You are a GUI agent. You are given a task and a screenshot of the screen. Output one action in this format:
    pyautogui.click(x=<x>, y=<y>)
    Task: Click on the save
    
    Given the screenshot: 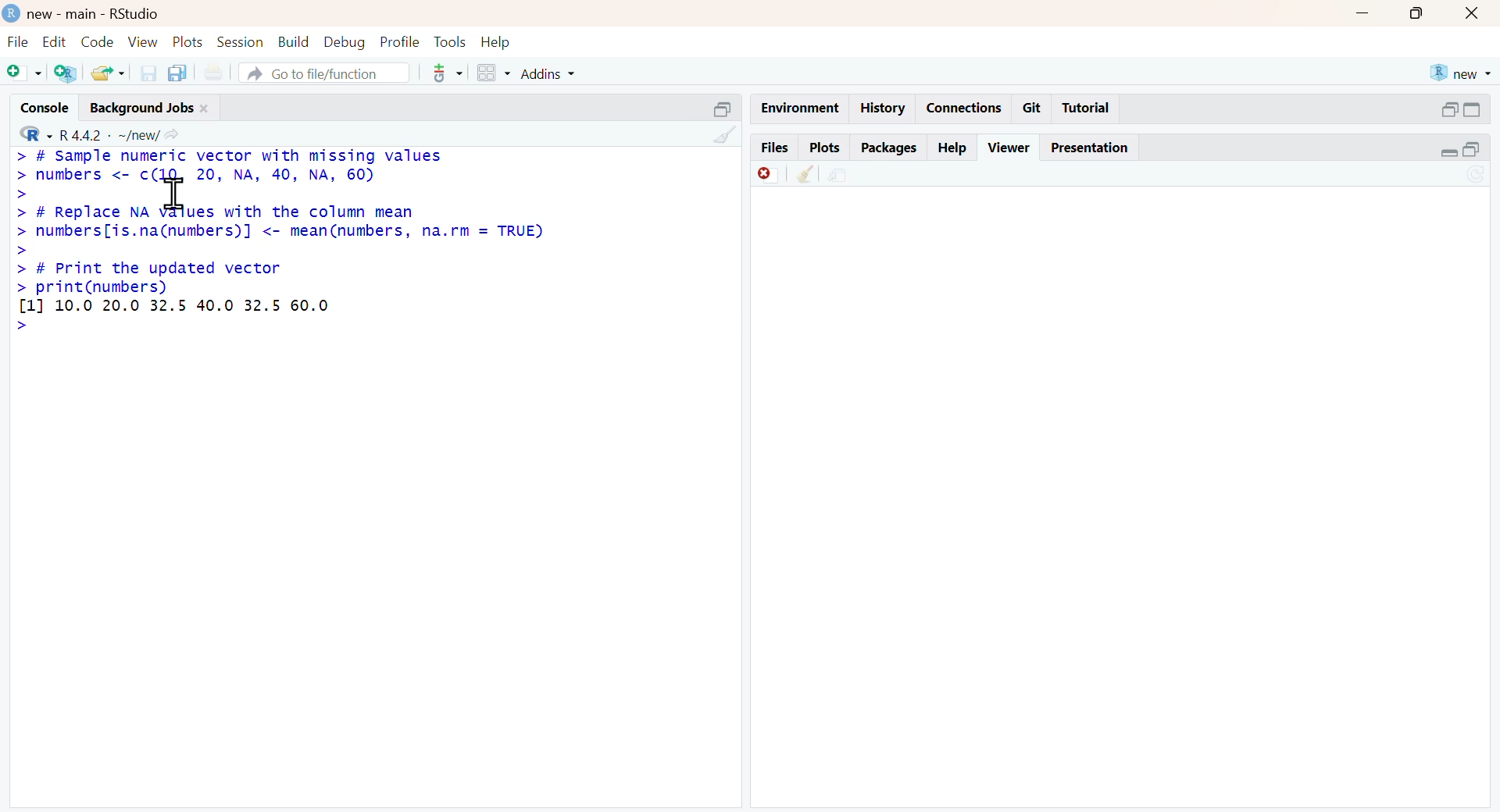 What is the action you would take?
    pyautogui.click(x=150, y=73)
    